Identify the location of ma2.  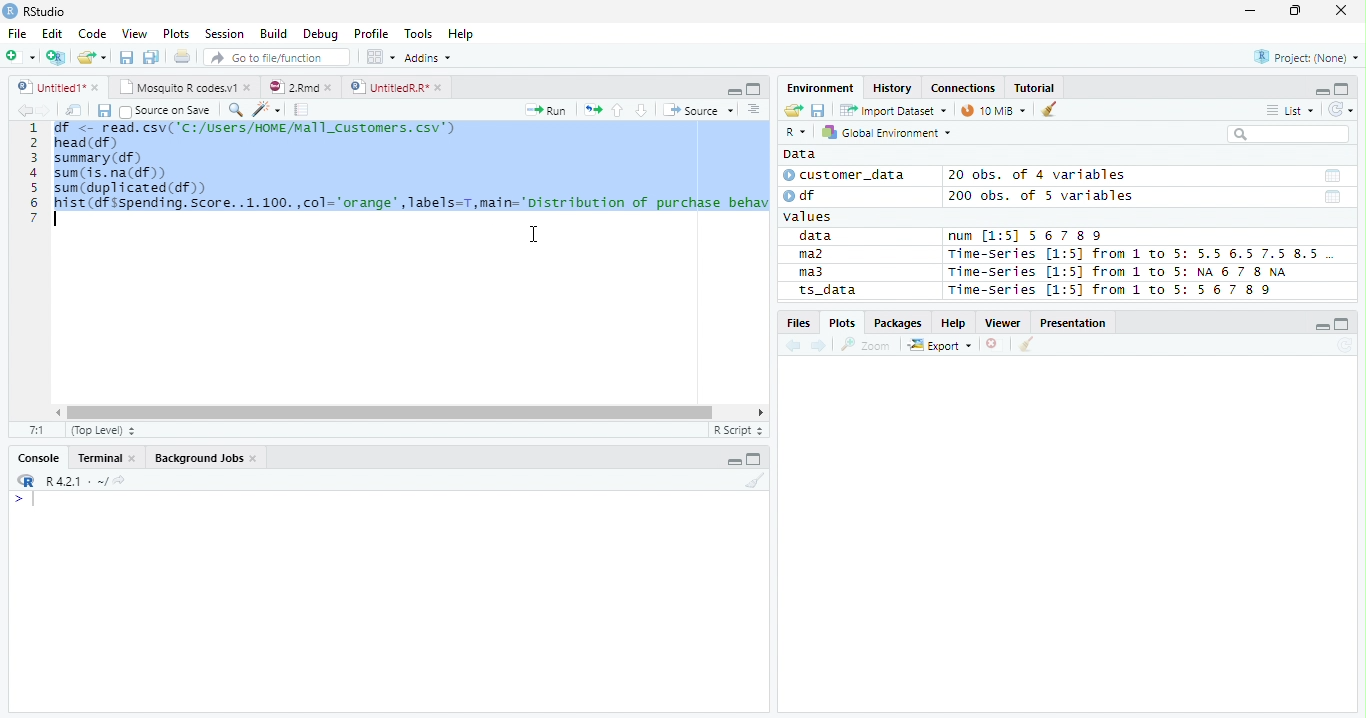
(816, 256).